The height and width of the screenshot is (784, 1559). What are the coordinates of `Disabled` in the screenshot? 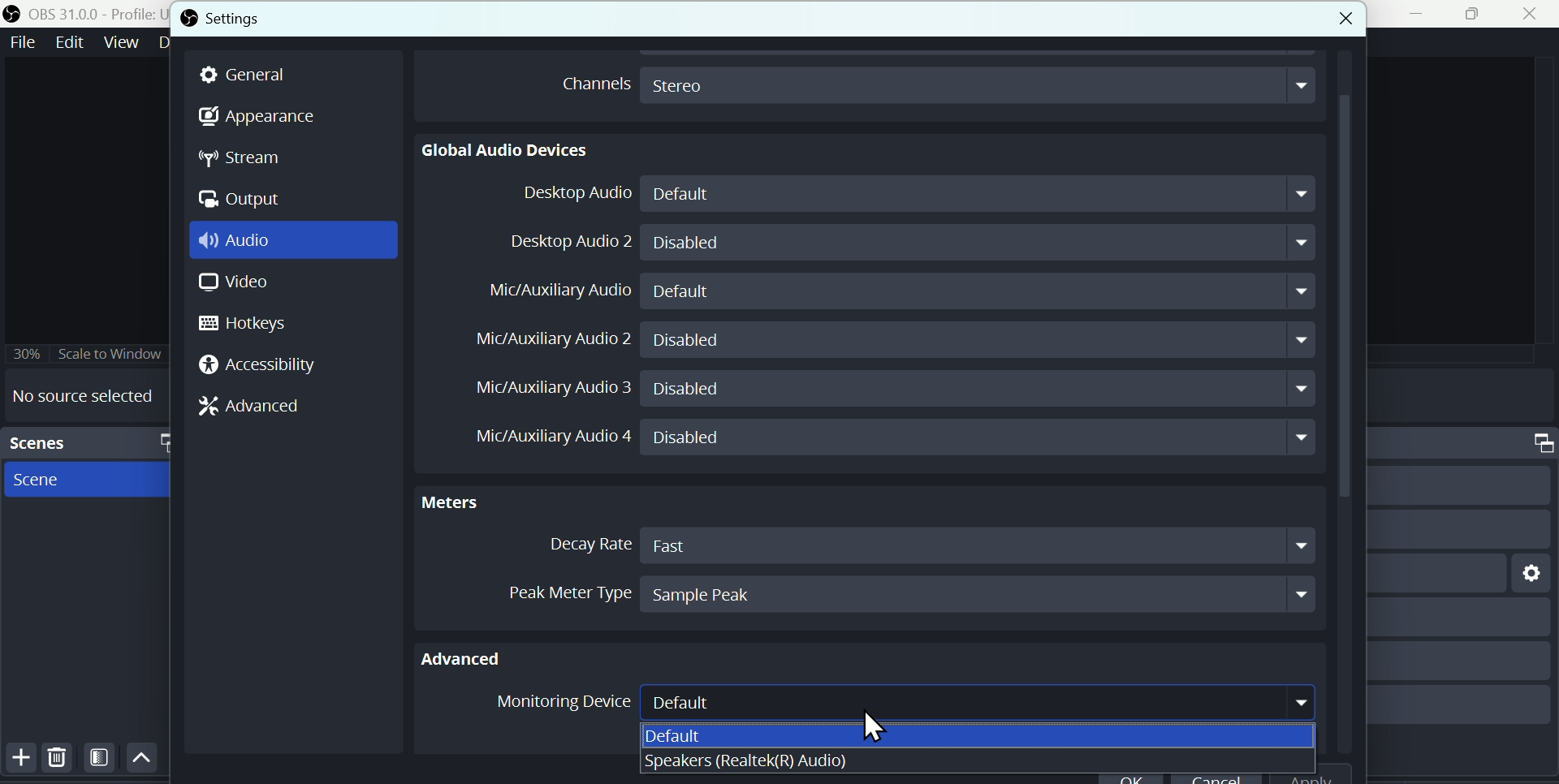 It's located at (980, 438).